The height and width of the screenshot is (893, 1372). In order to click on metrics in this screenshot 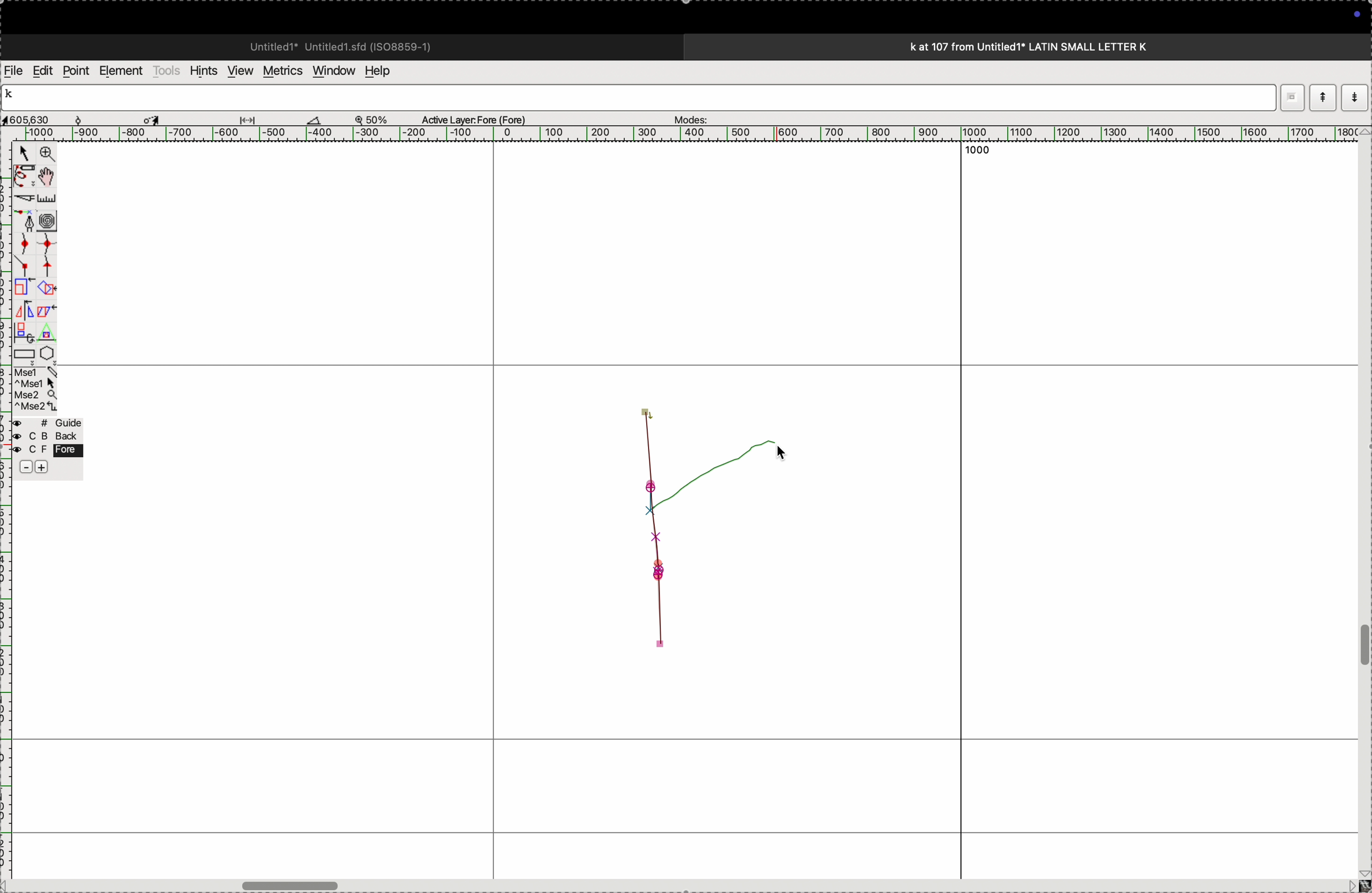, I will do `click(281, 71)`.